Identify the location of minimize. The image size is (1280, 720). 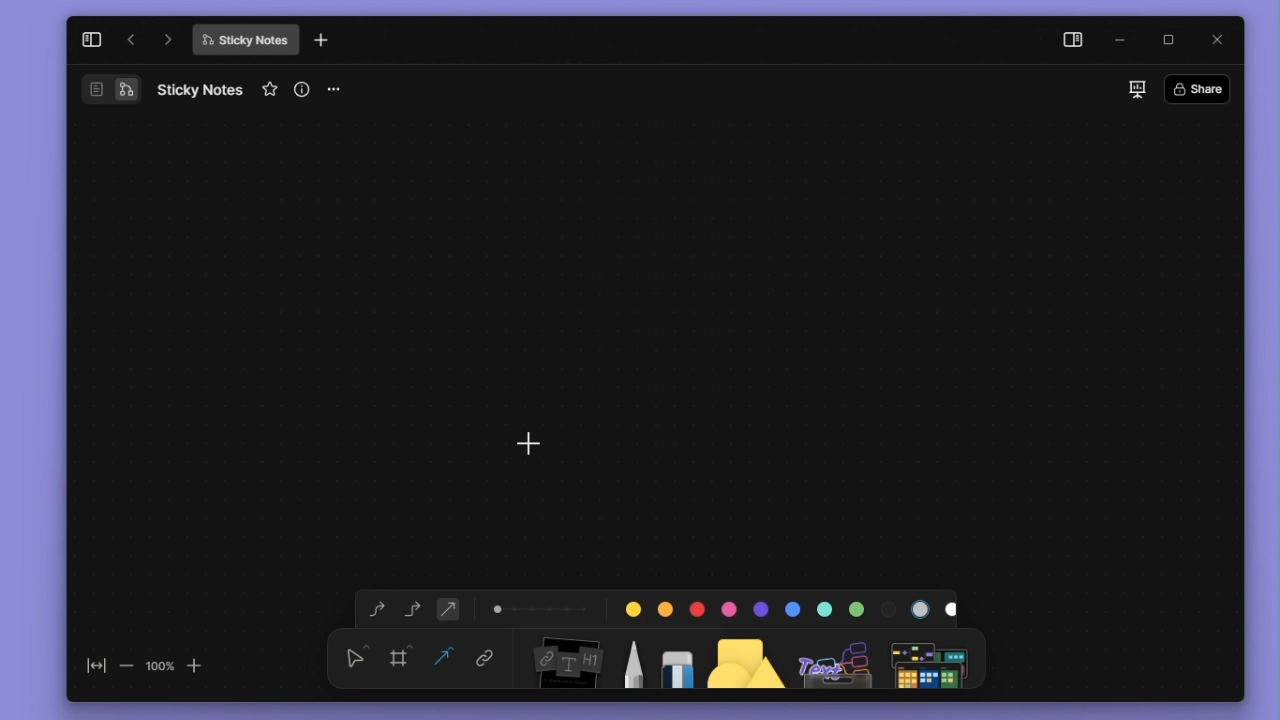
(1125, 41).